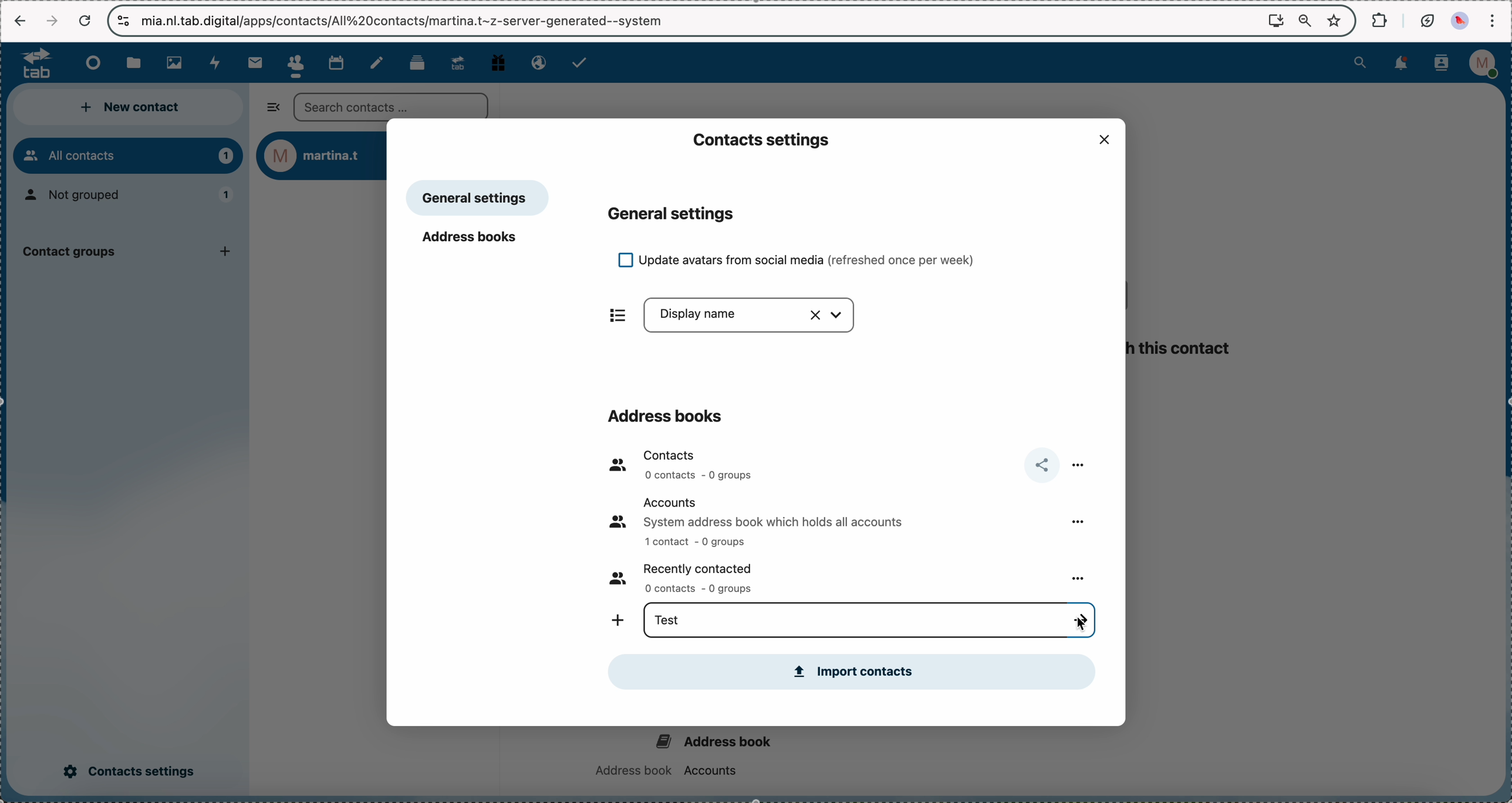 The height and width of the screenshot is (803, 1512). I want to click on contacts settings, so click(759, 138).